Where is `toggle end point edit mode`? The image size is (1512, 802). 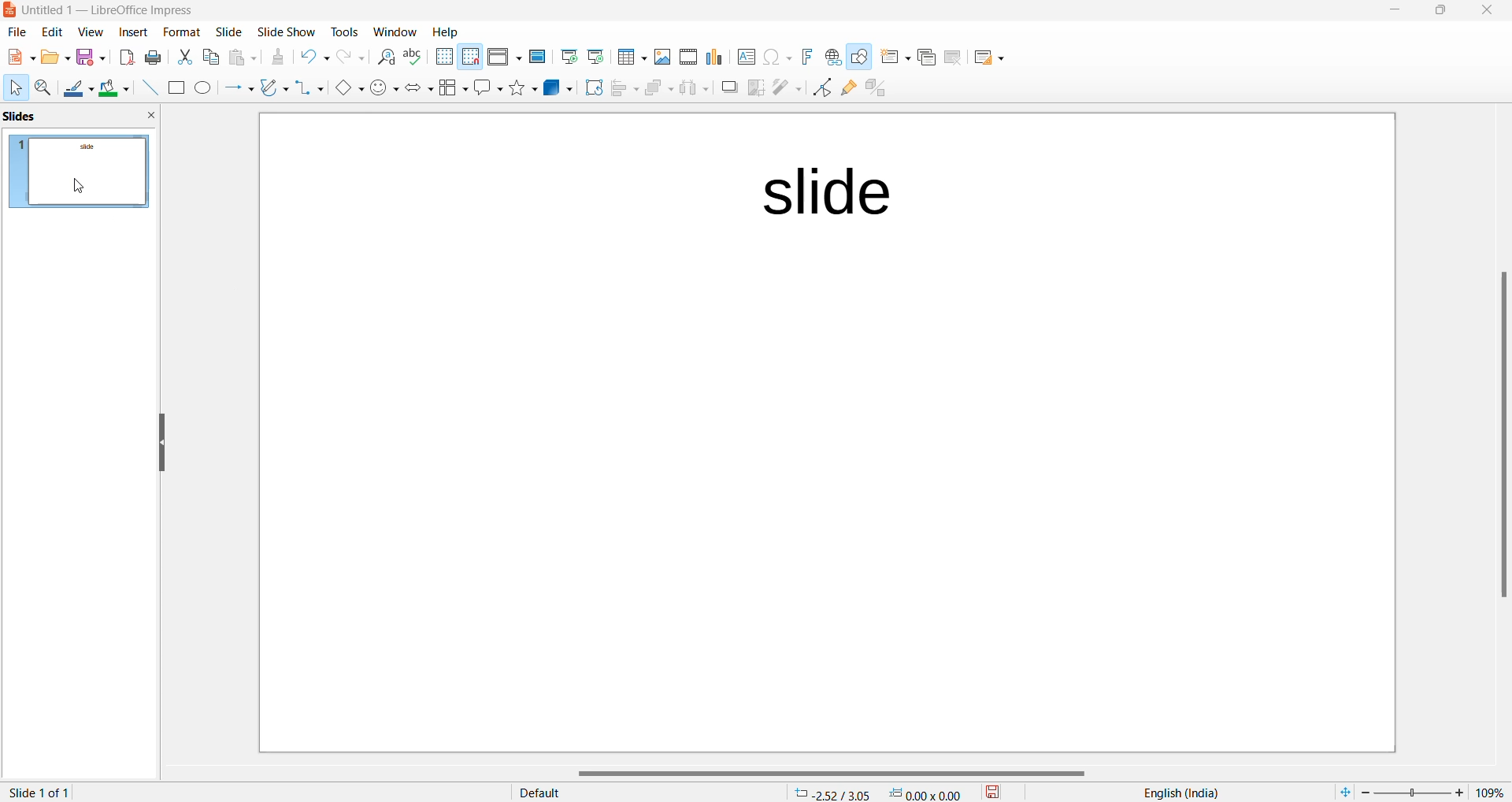
toggle end point edit mode is located at coordinates (823, 87).